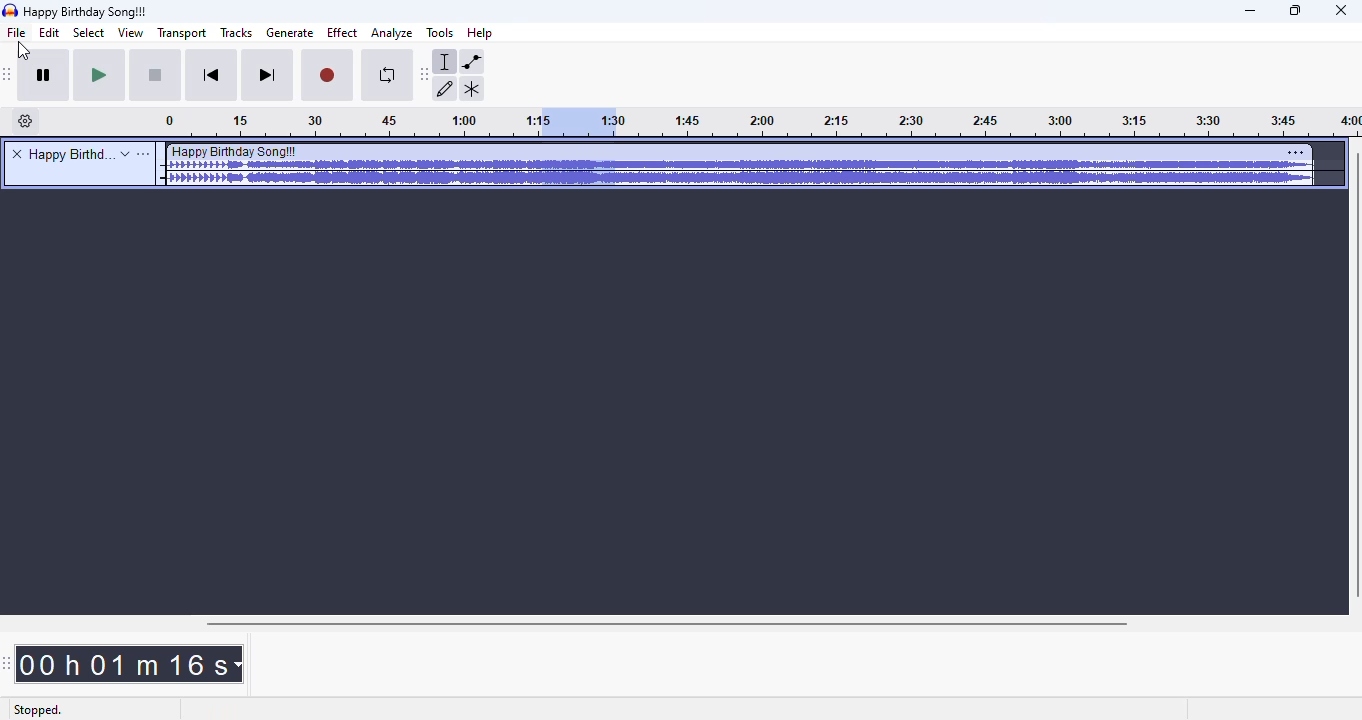  Describe the element at coordinates (69, 154) in the screenshot. I see `title` at that location.